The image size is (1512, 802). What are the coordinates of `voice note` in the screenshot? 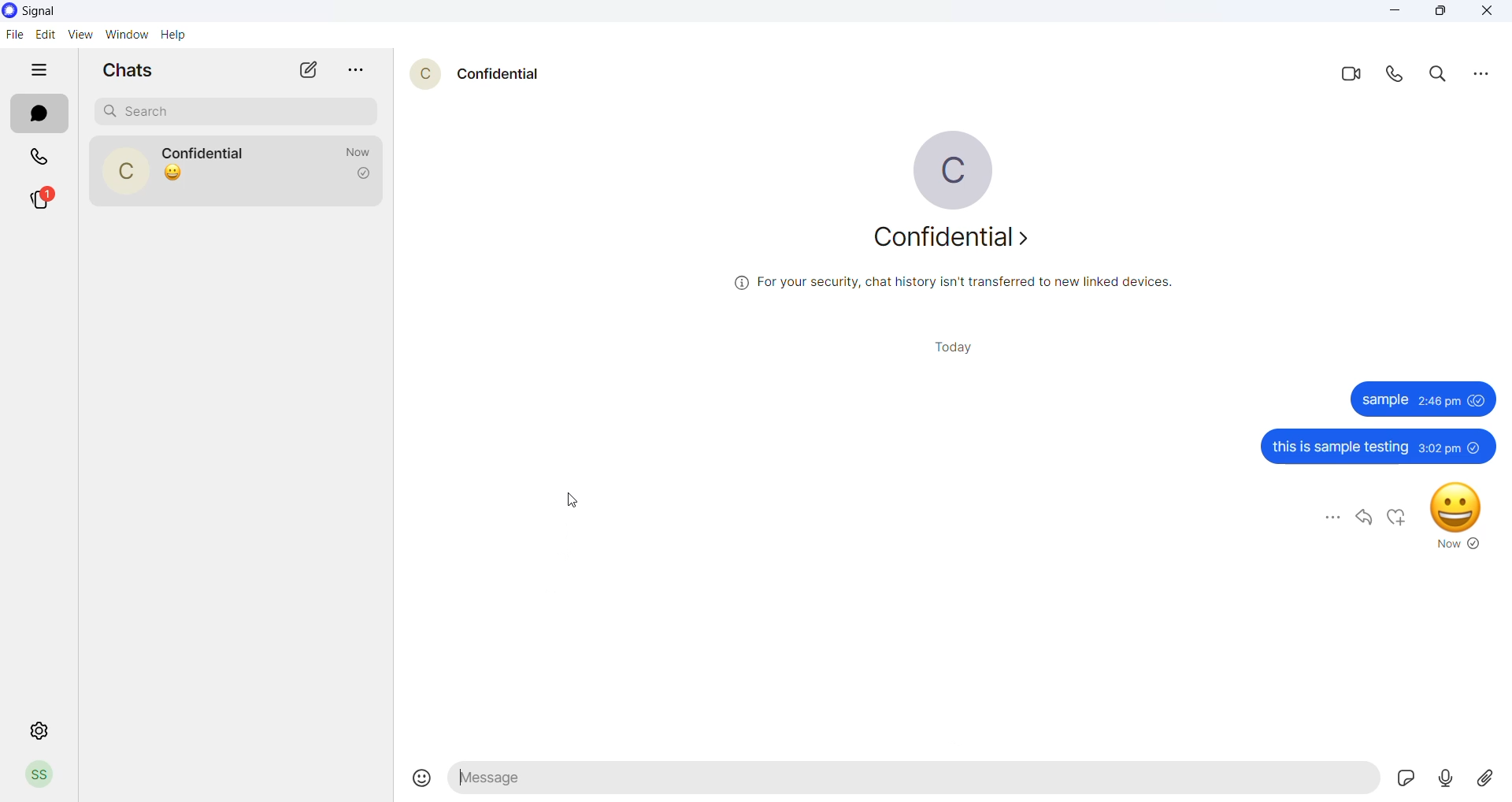 It's located at (1444, 777).